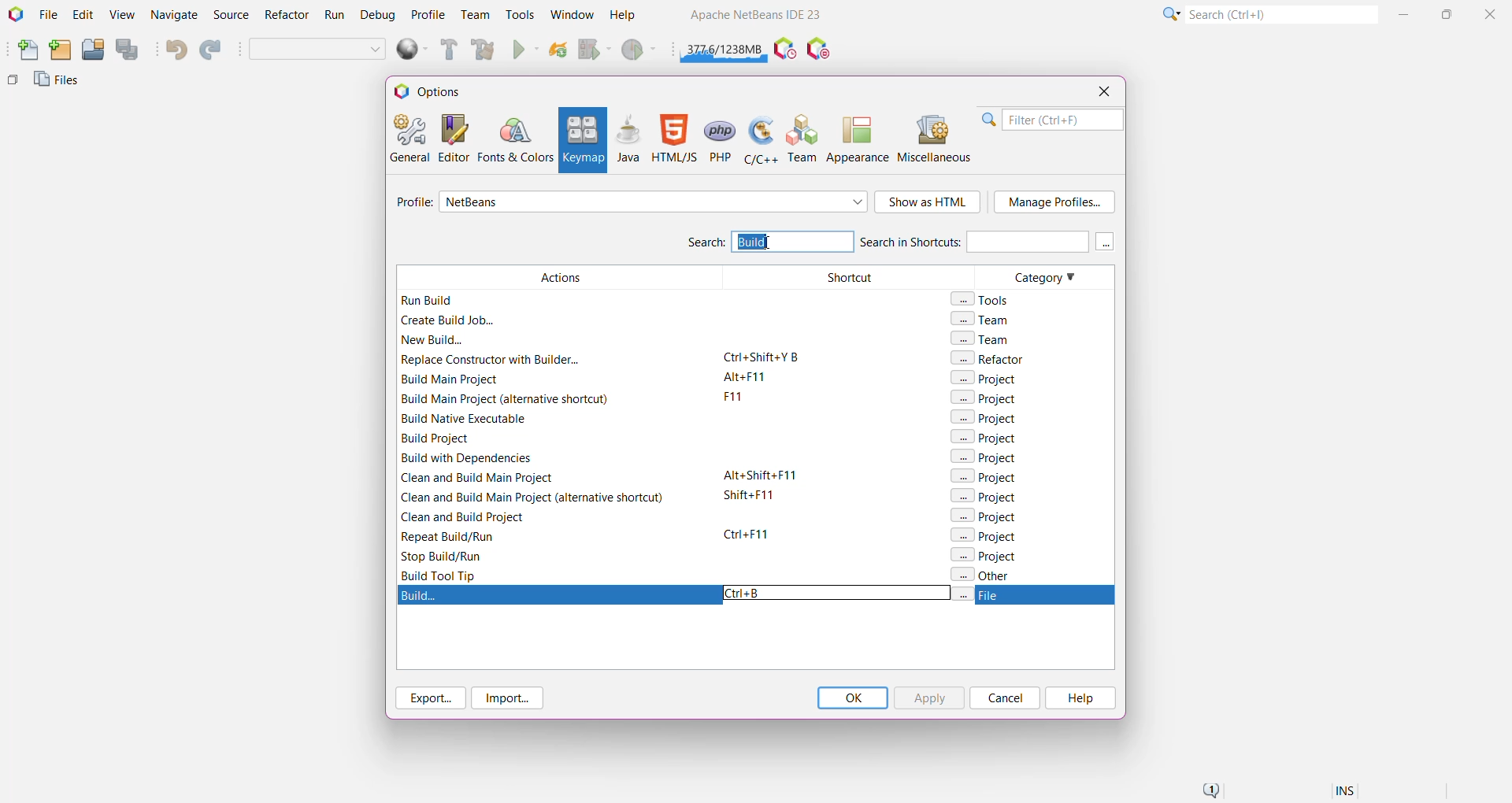  Describe the element at coordinates (175, 16) in the screenshot. I see `Navigate` at that location.